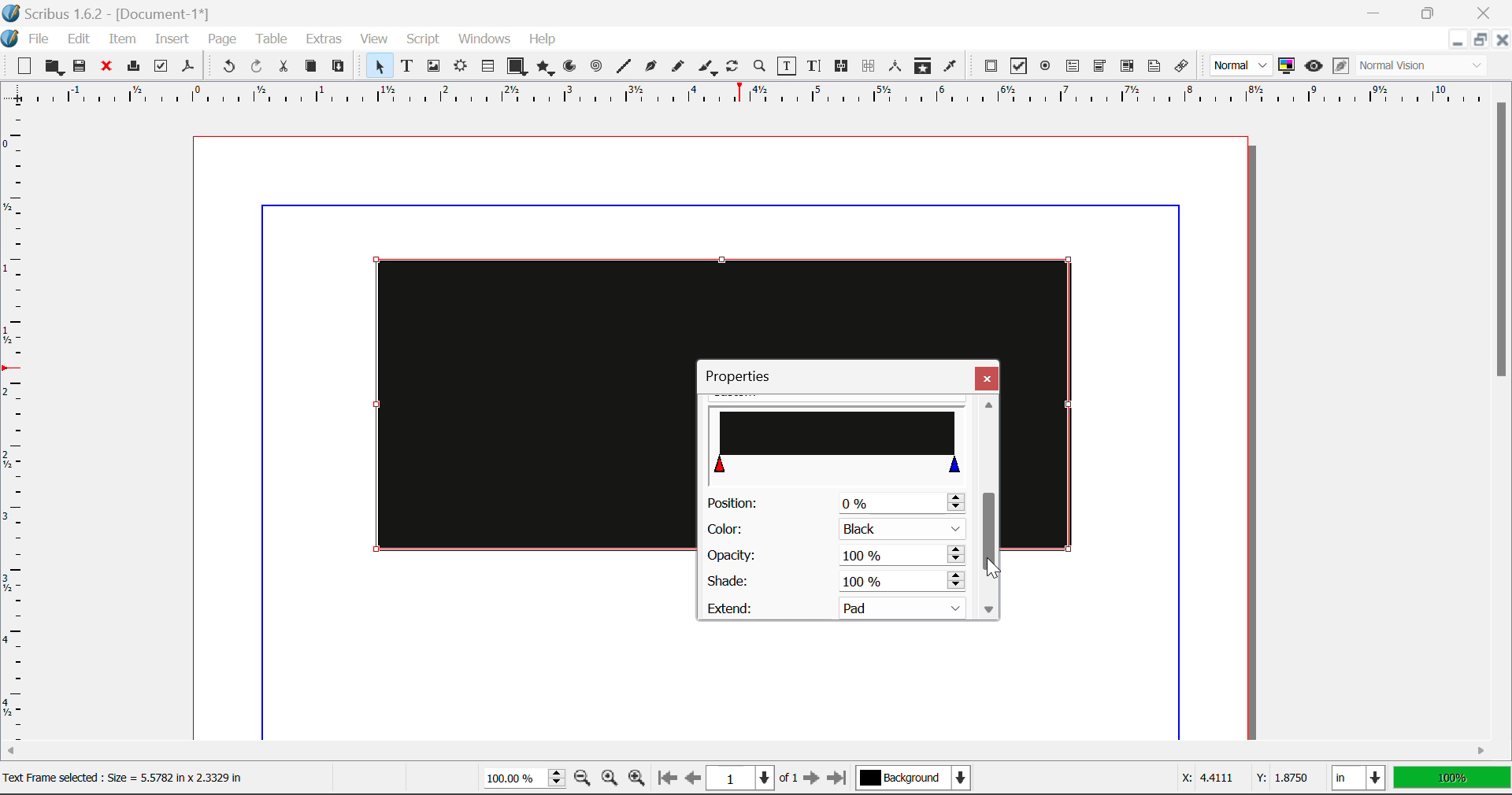  I want to click on Close, so click(1501, 39).